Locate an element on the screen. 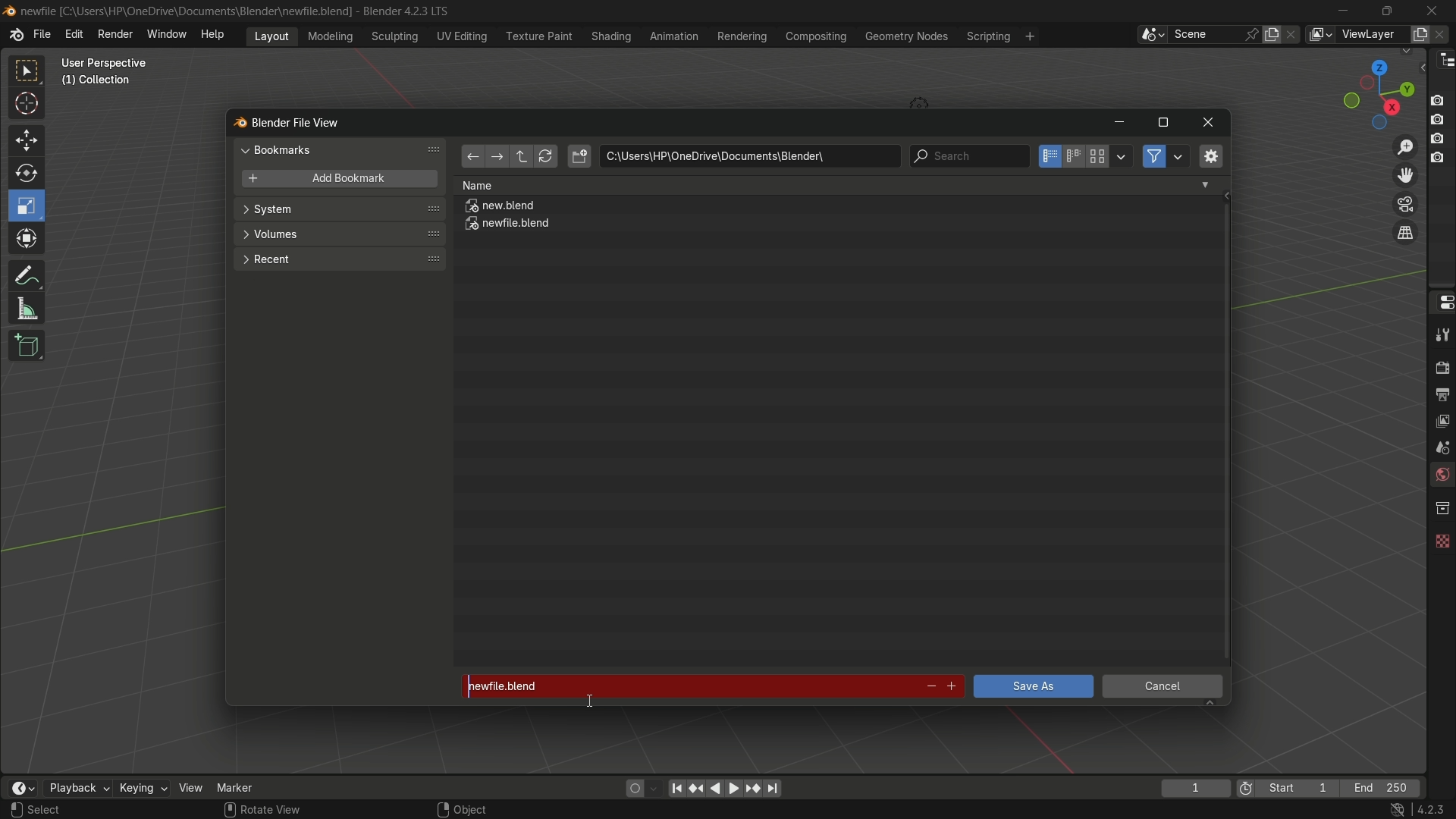 The height and width of the screenshot is (819, 1456). User prepective is located at coordinates (111, 63).